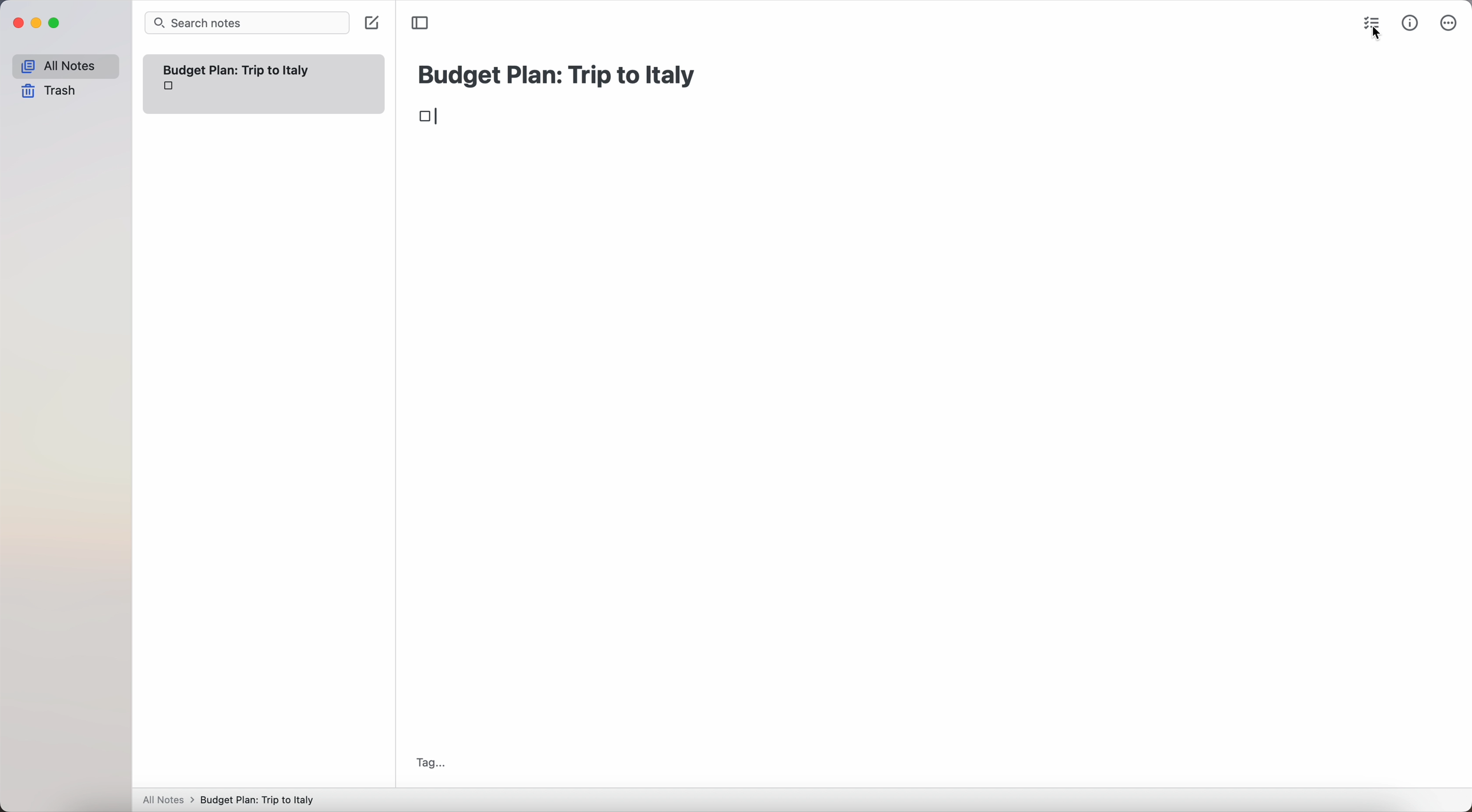 The width and height of the screenshot is (1472, 812). What do you see at coordinates (434, 117) in the screenshot?
I see `checkbox` at bounding box center [434, 117].